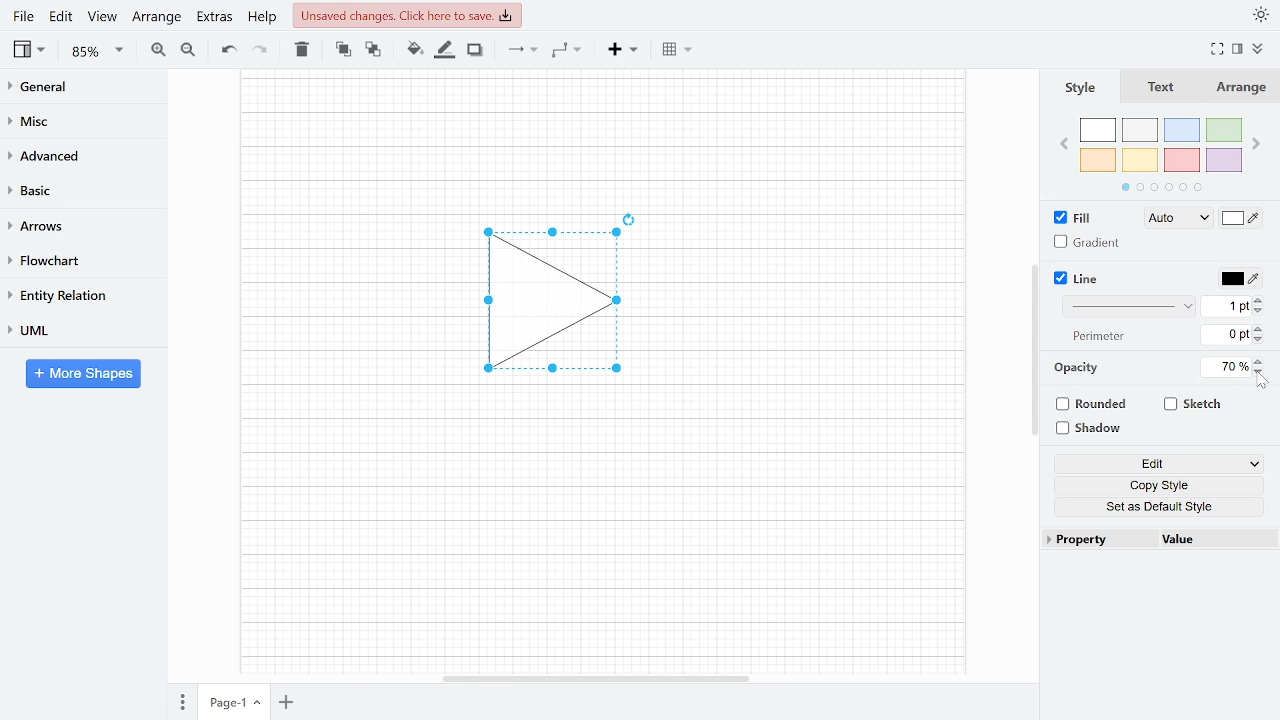  I want to click on vertical scrollbar, so click(1034, 350).